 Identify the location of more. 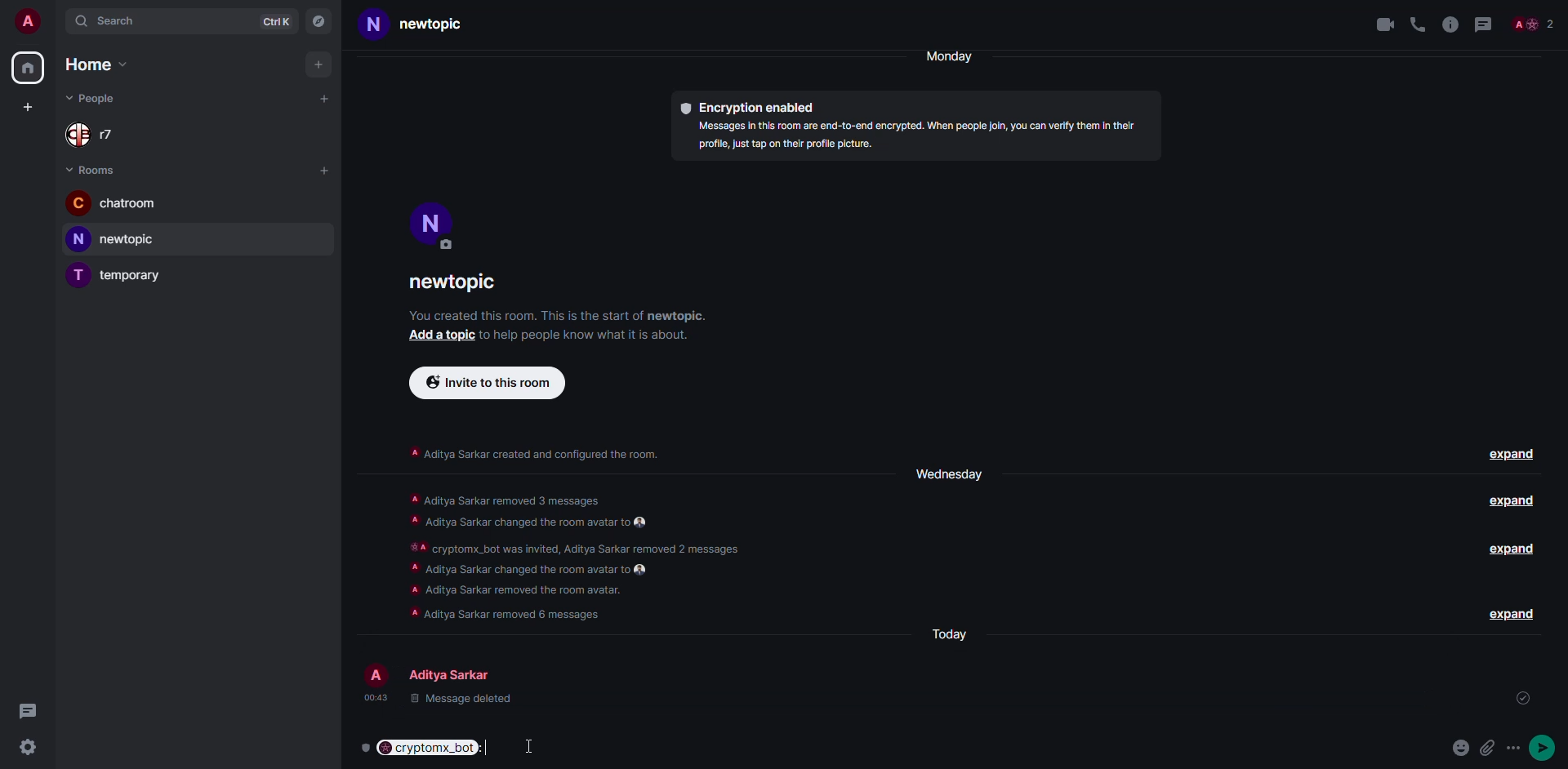
(1517, 748).